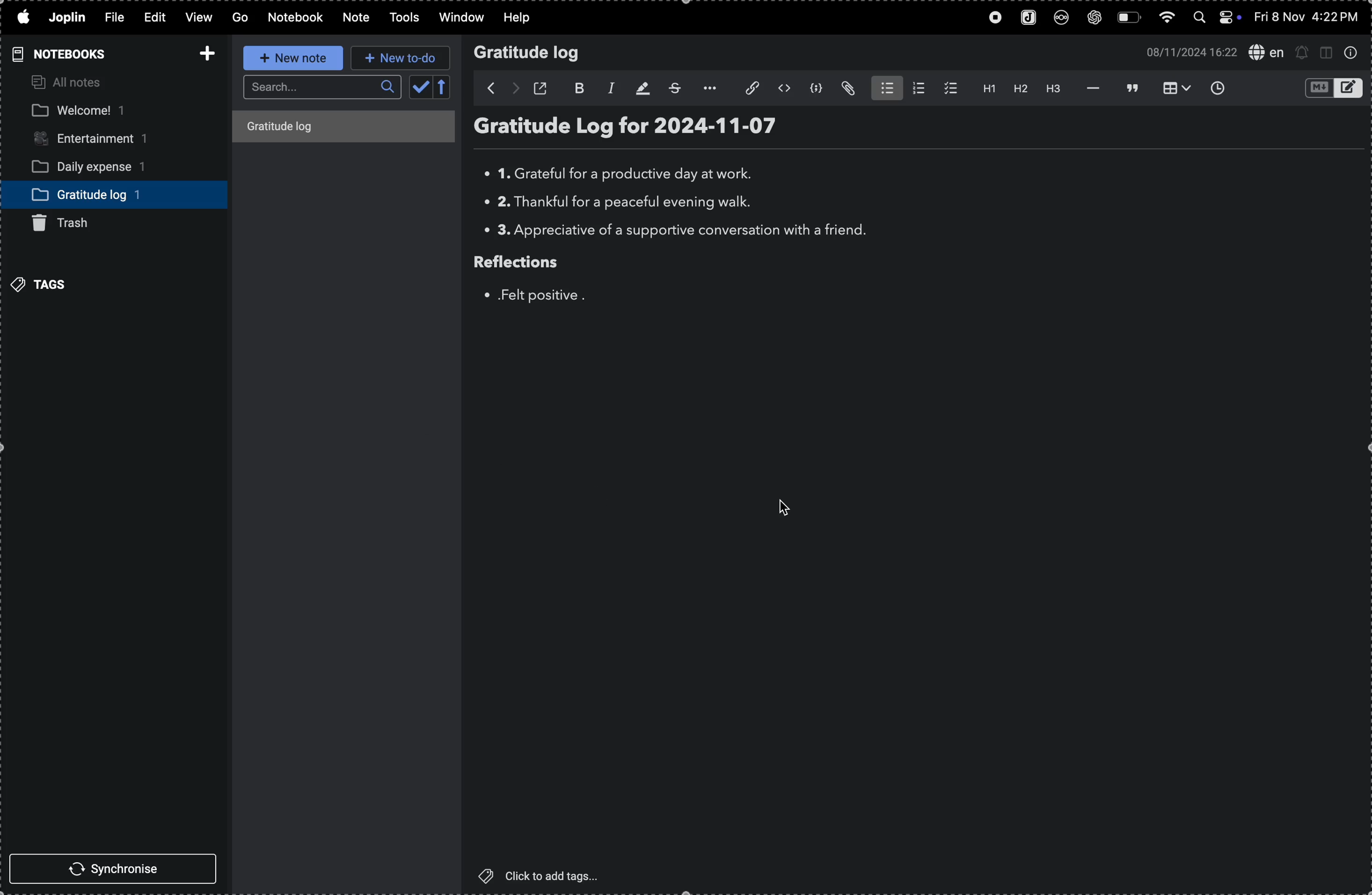  I want to click on click to add tags, so click(544, 876).